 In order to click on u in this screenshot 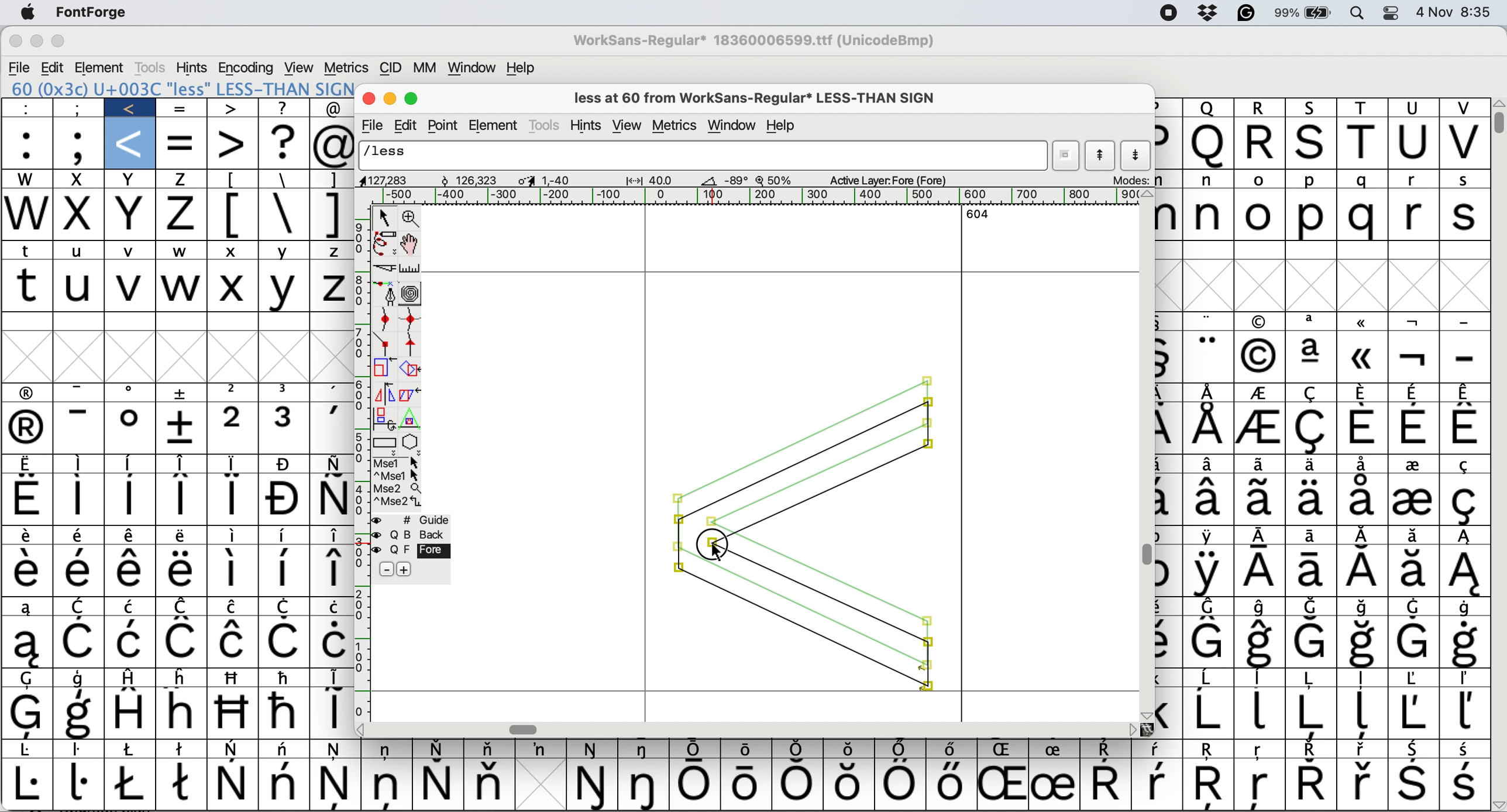, I will do `click(1413, 142)`.